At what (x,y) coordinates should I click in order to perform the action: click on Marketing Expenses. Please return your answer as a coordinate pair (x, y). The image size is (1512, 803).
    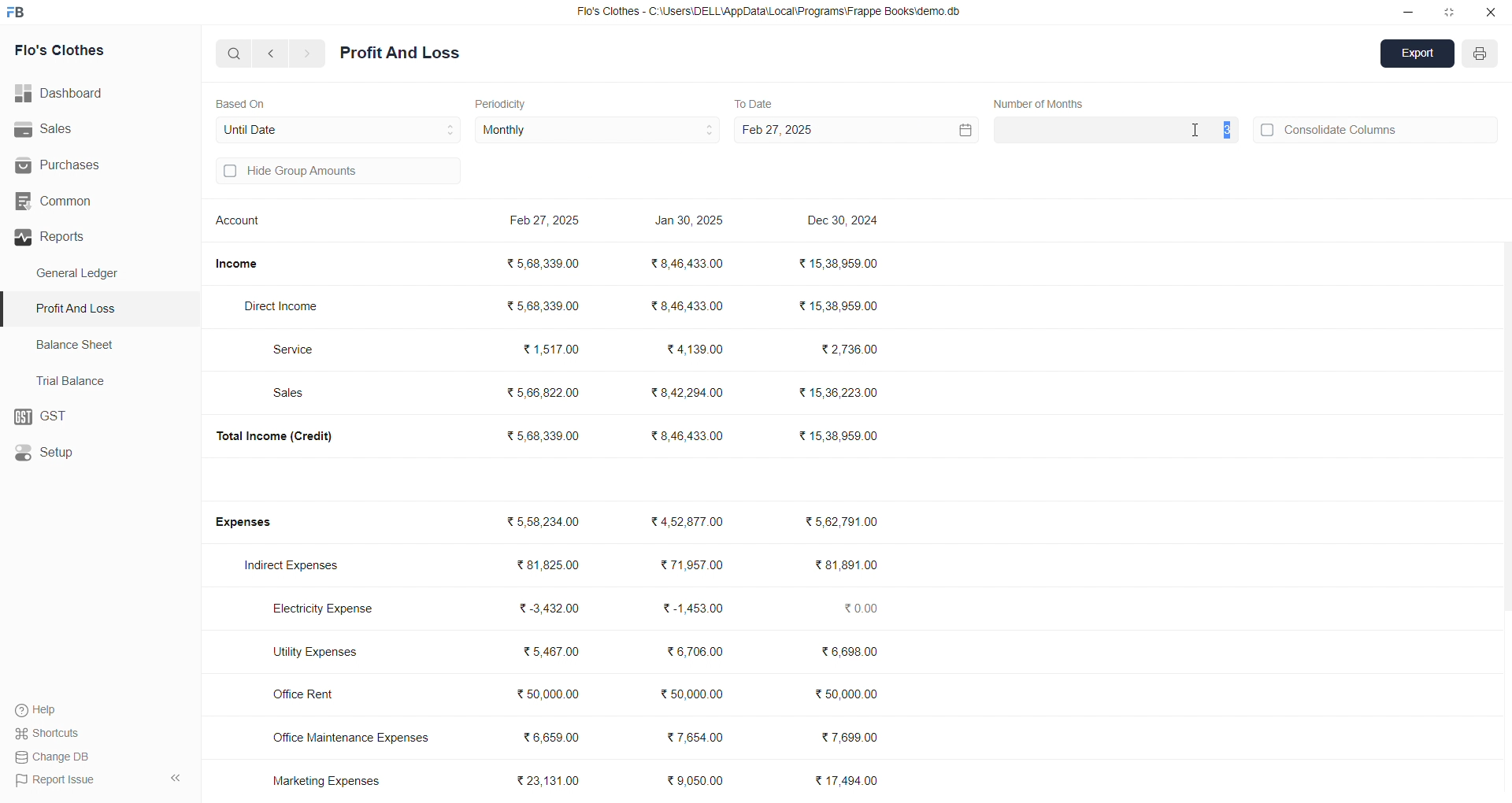
    Looking at the image, I should click on (326, 780).